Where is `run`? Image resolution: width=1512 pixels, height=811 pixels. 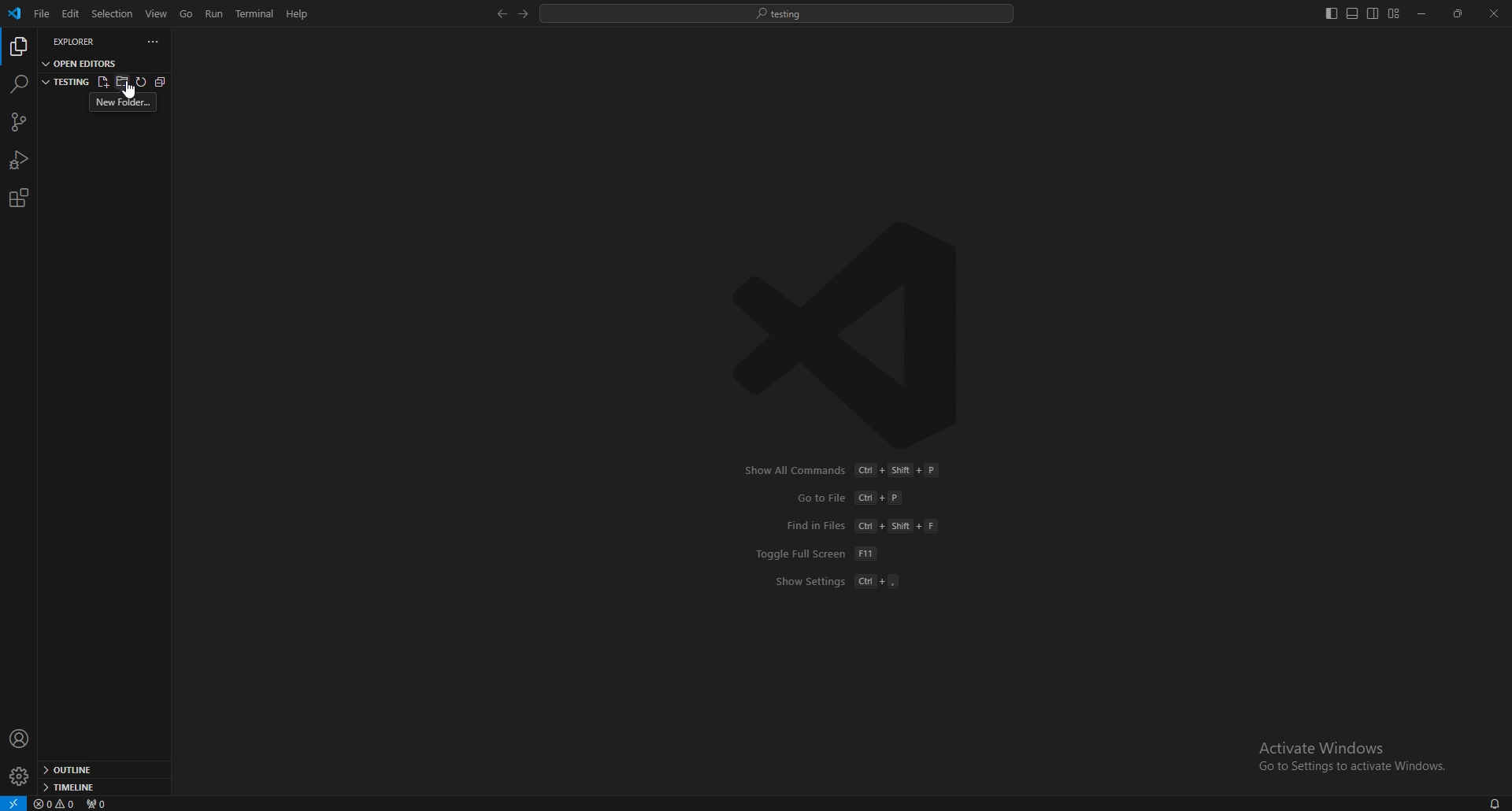 run is located at coordinates (216, 13).